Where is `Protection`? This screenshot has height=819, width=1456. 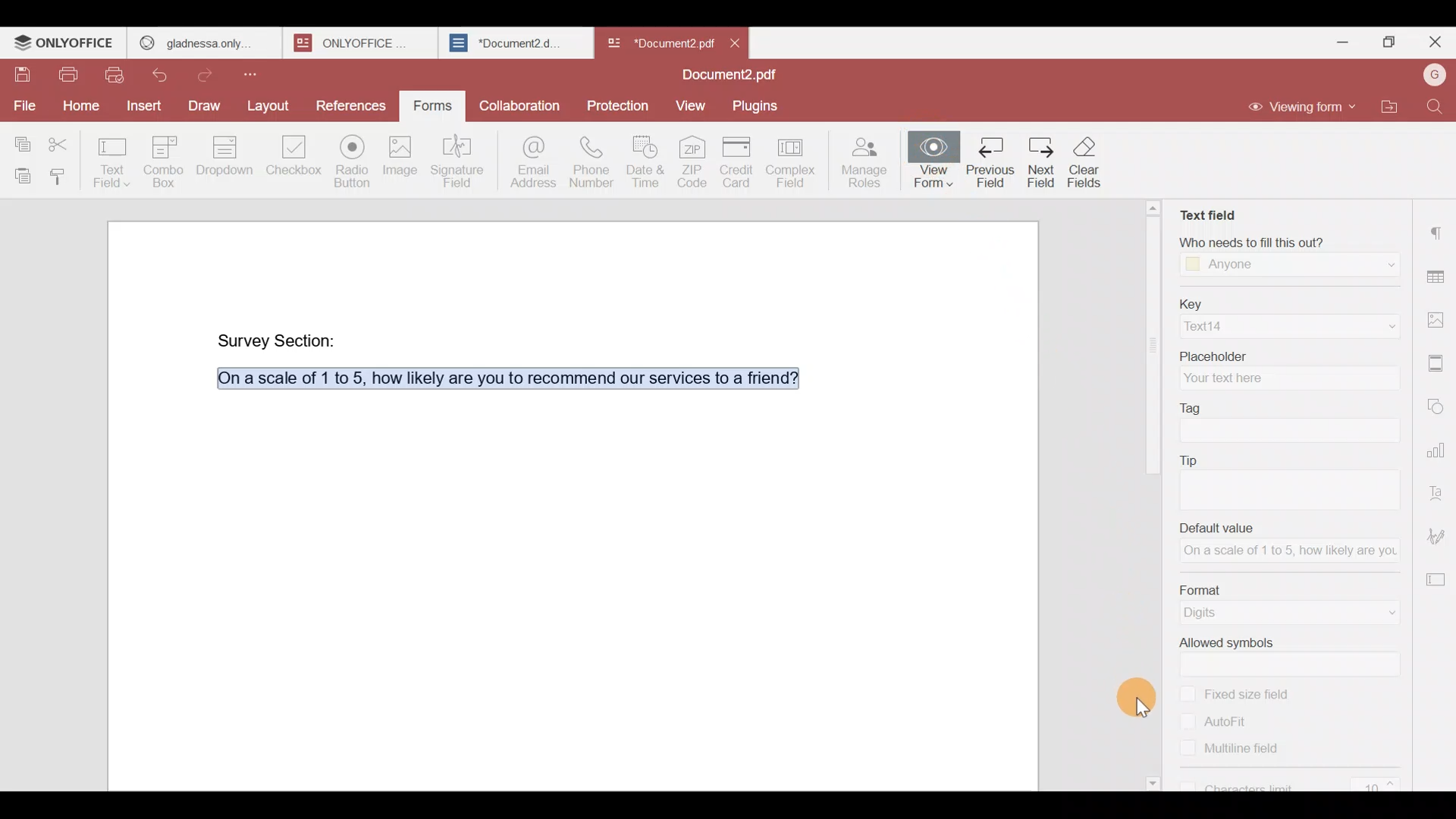 Protection is located at coordinates (619, 104).